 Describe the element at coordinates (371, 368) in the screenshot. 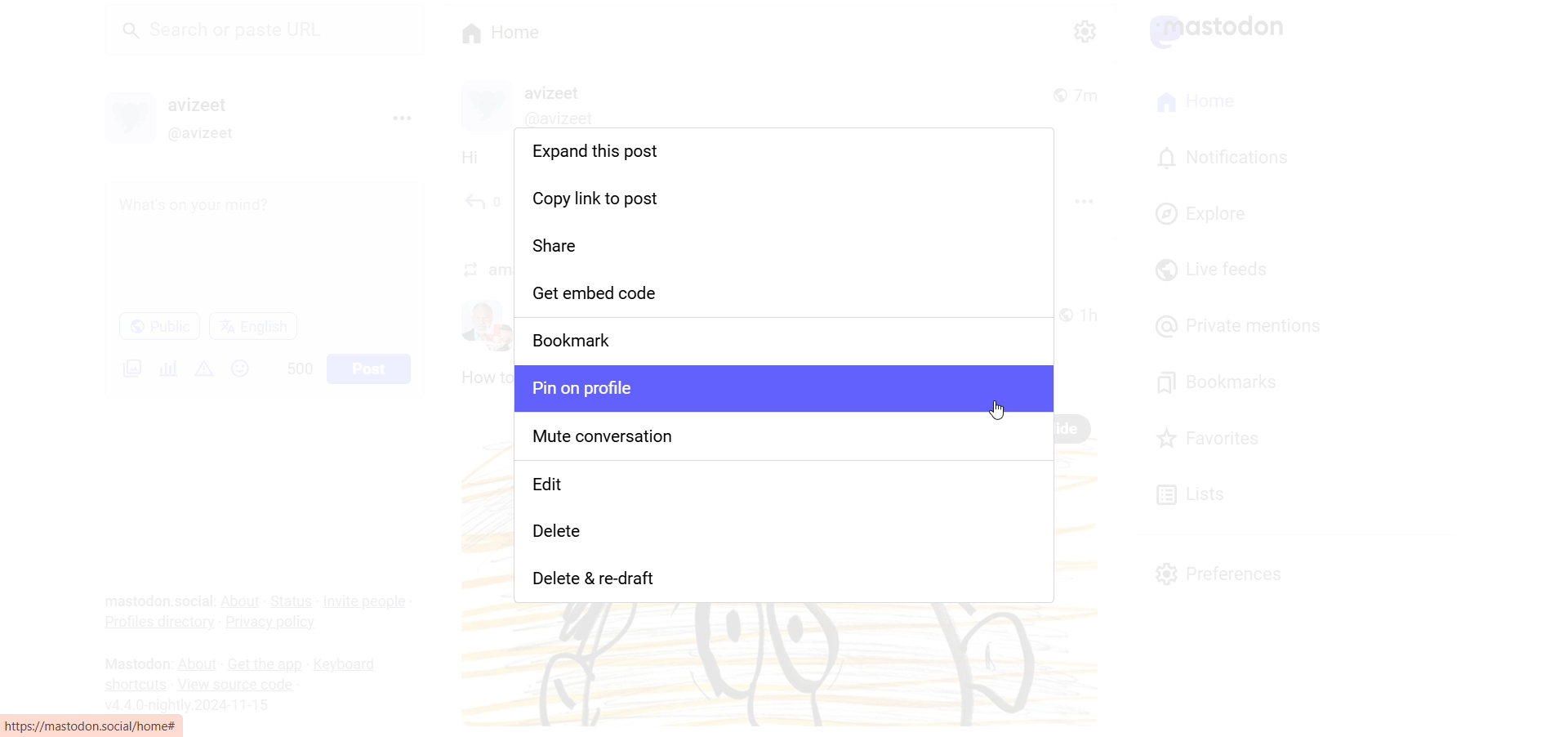

I see `Post` at that location.